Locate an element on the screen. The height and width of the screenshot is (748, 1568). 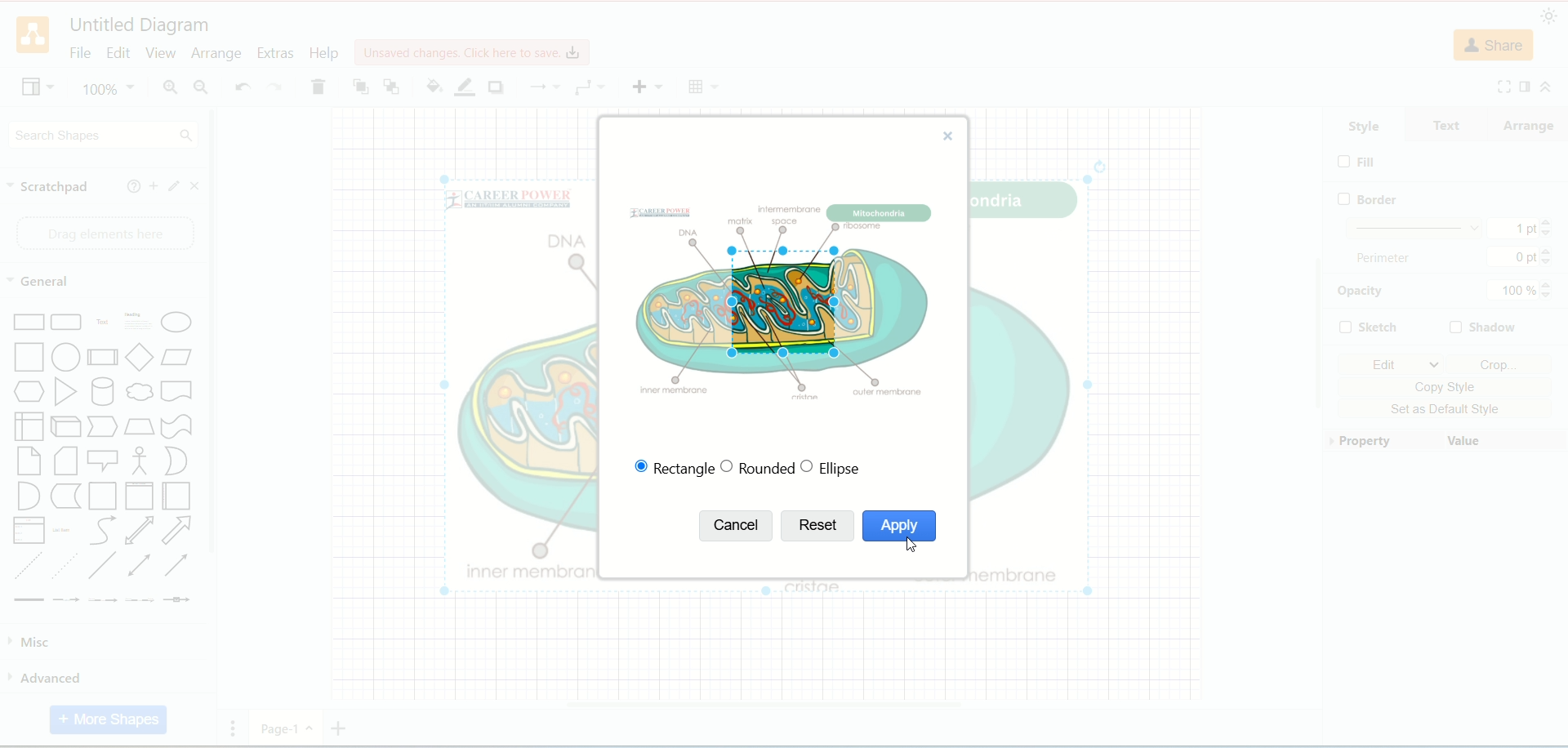
cursor is located at coordinates (914, 549).